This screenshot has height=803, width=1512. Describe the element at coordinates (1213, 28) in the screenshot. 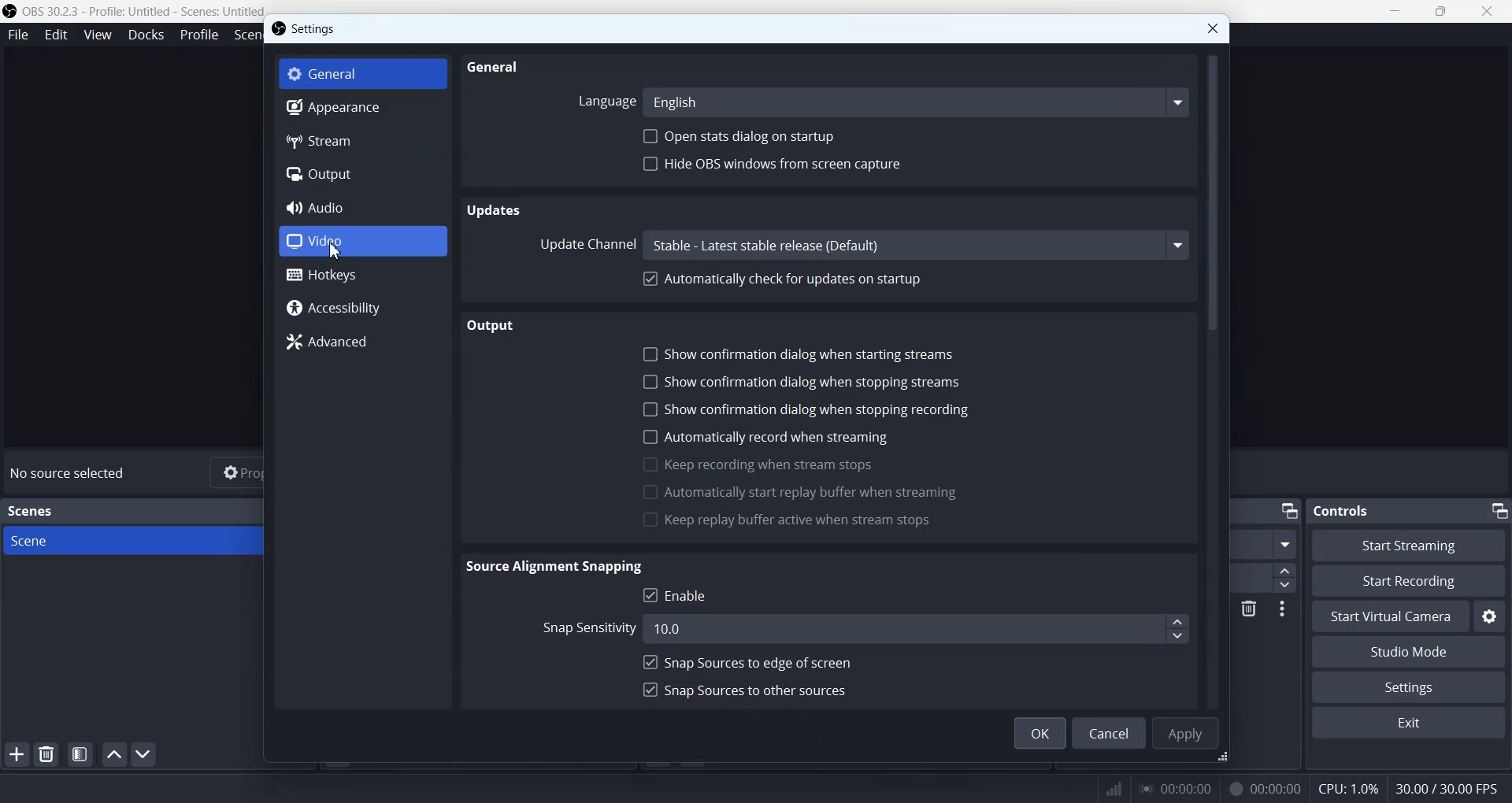

I see `Close` at that location.